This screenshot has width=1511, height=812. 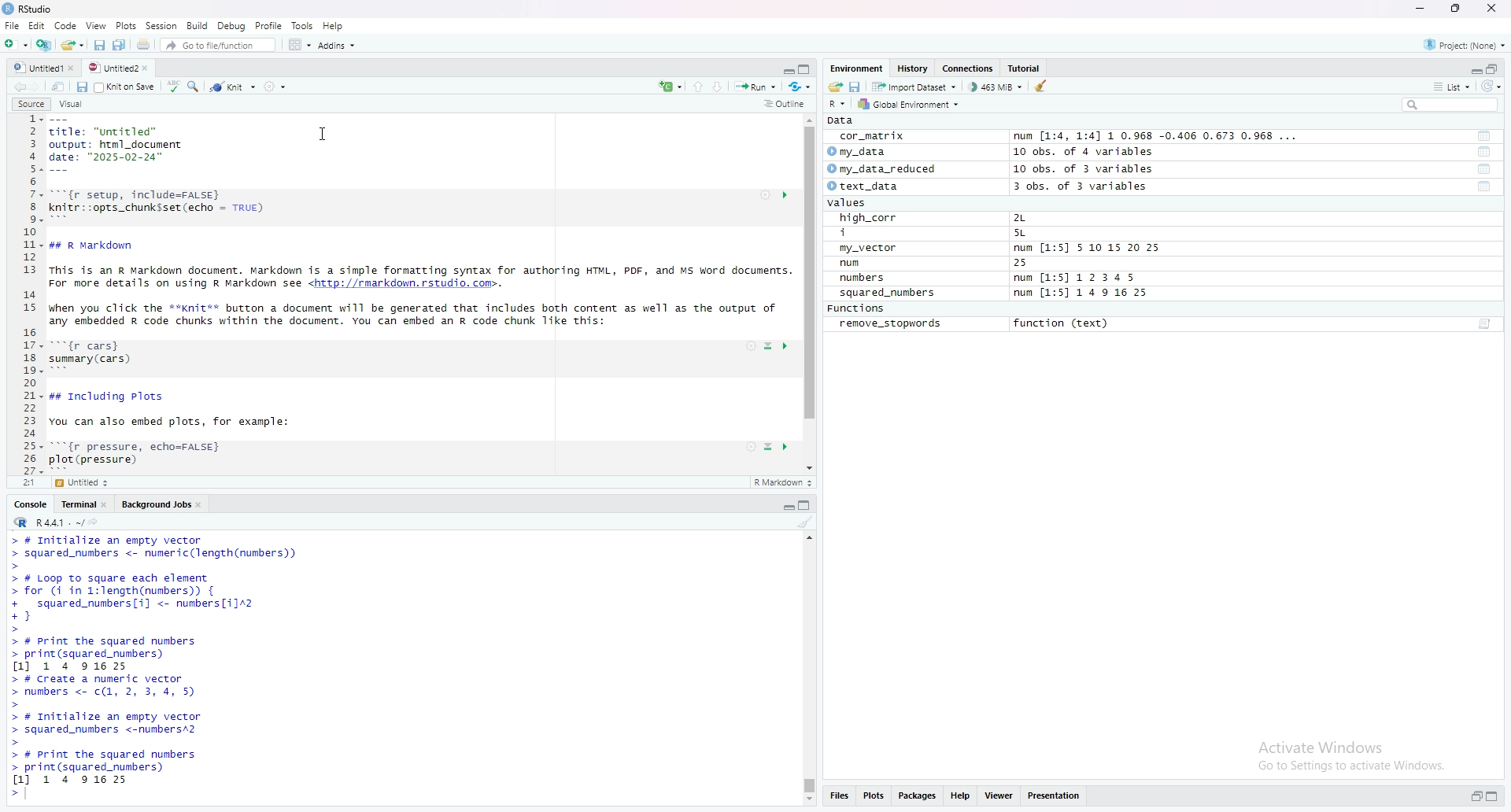 What do you see at coordinates (811, 275) in the screenshot?
I see `vertical Scrollbar` at bounding box center [811, 275].